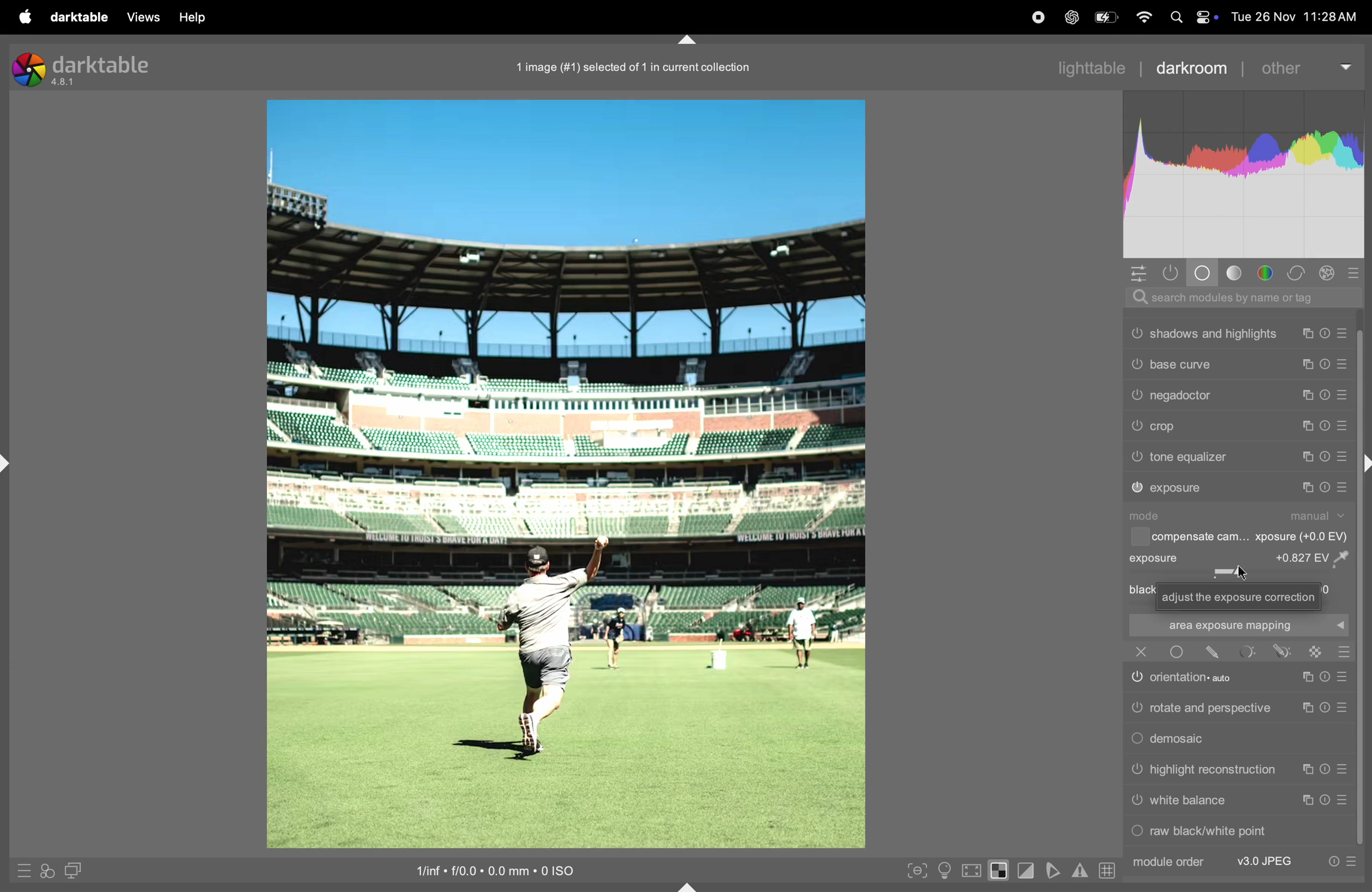  Describe the element at coordinates (1310, 395) in the screenshot. I see `copy` at that location.